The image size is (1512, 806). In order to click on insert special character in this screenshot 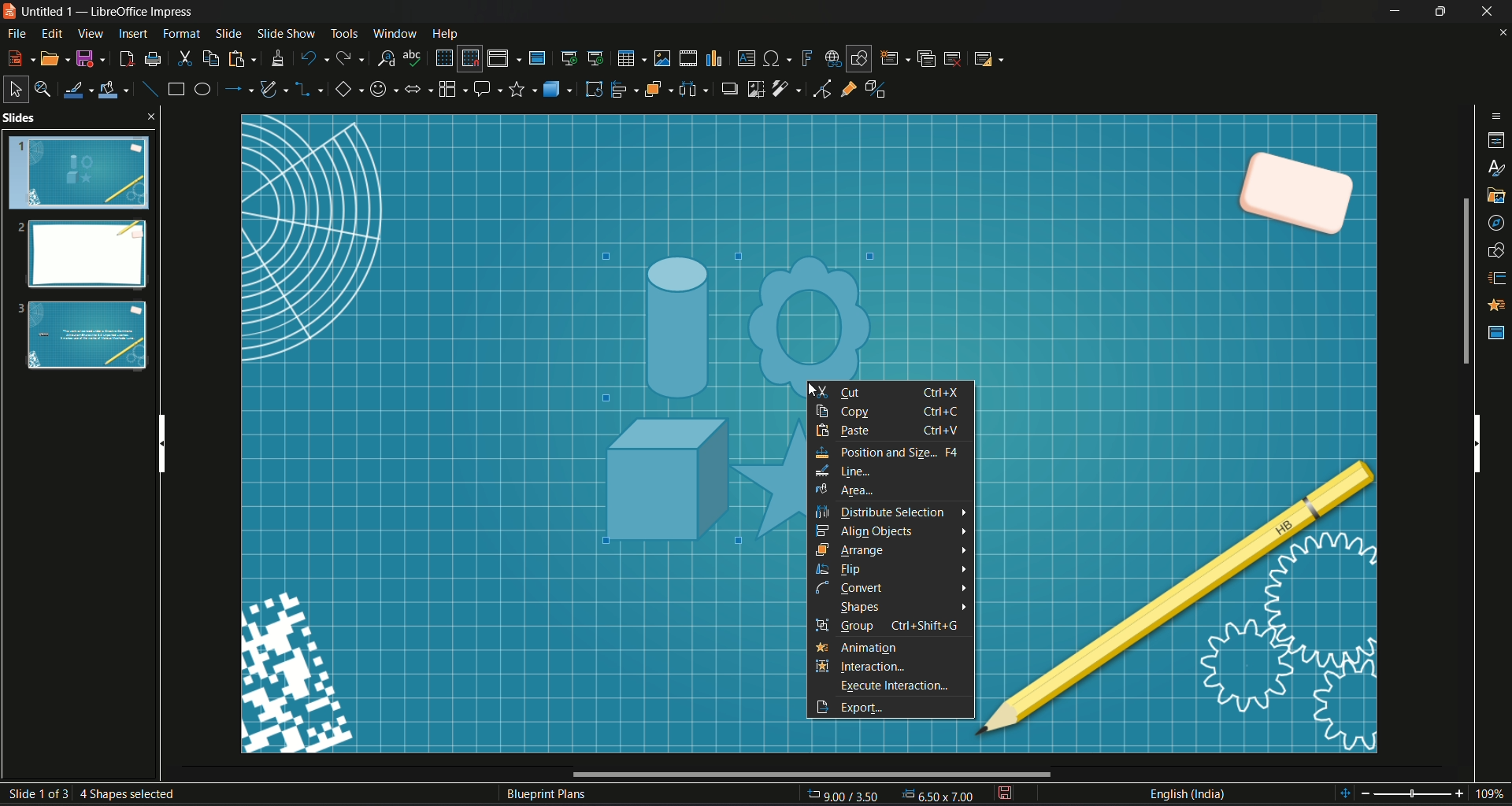, I will do `click(778, 57)`.